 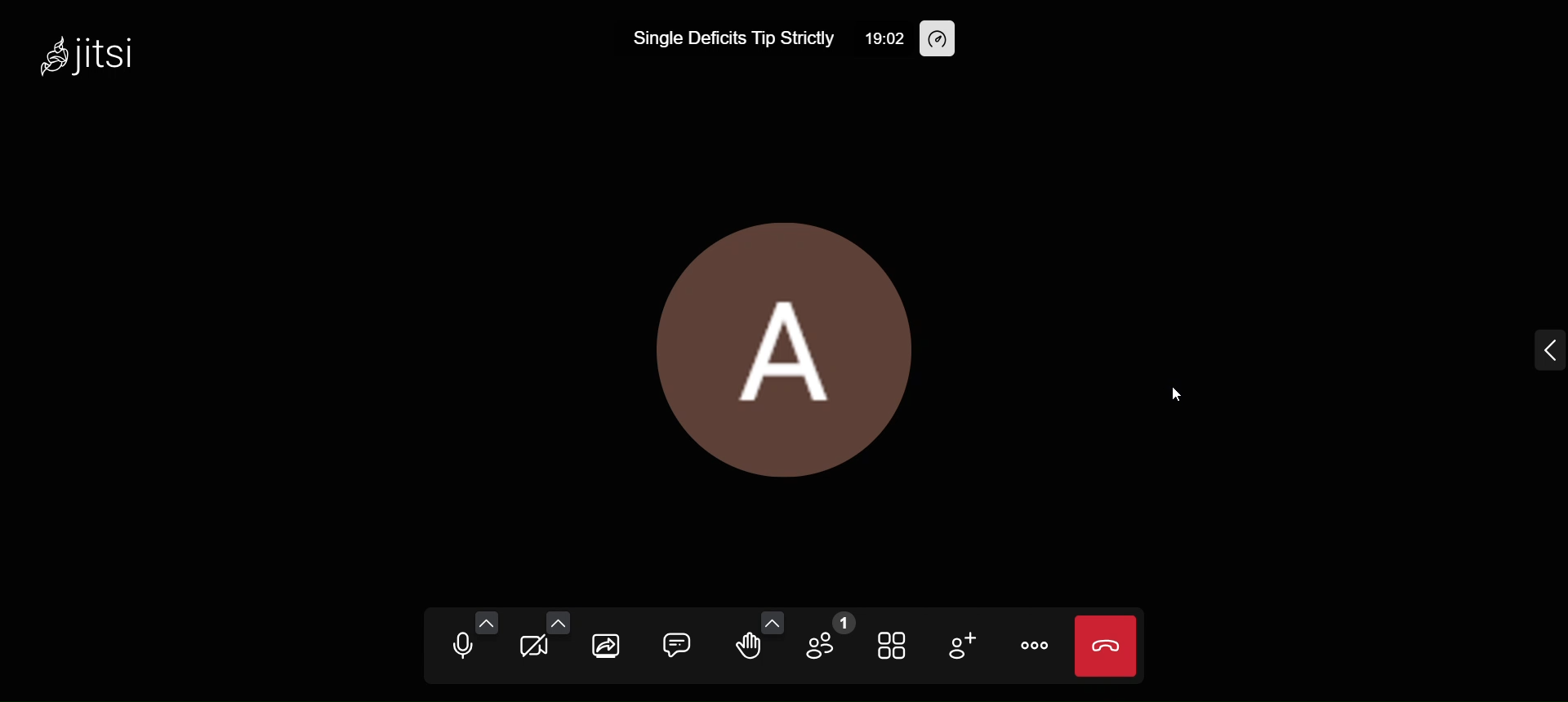 What do you see at coordinates (1533, 357) in the screenshot?
I see `expand` at bounding box center [1533, 357].